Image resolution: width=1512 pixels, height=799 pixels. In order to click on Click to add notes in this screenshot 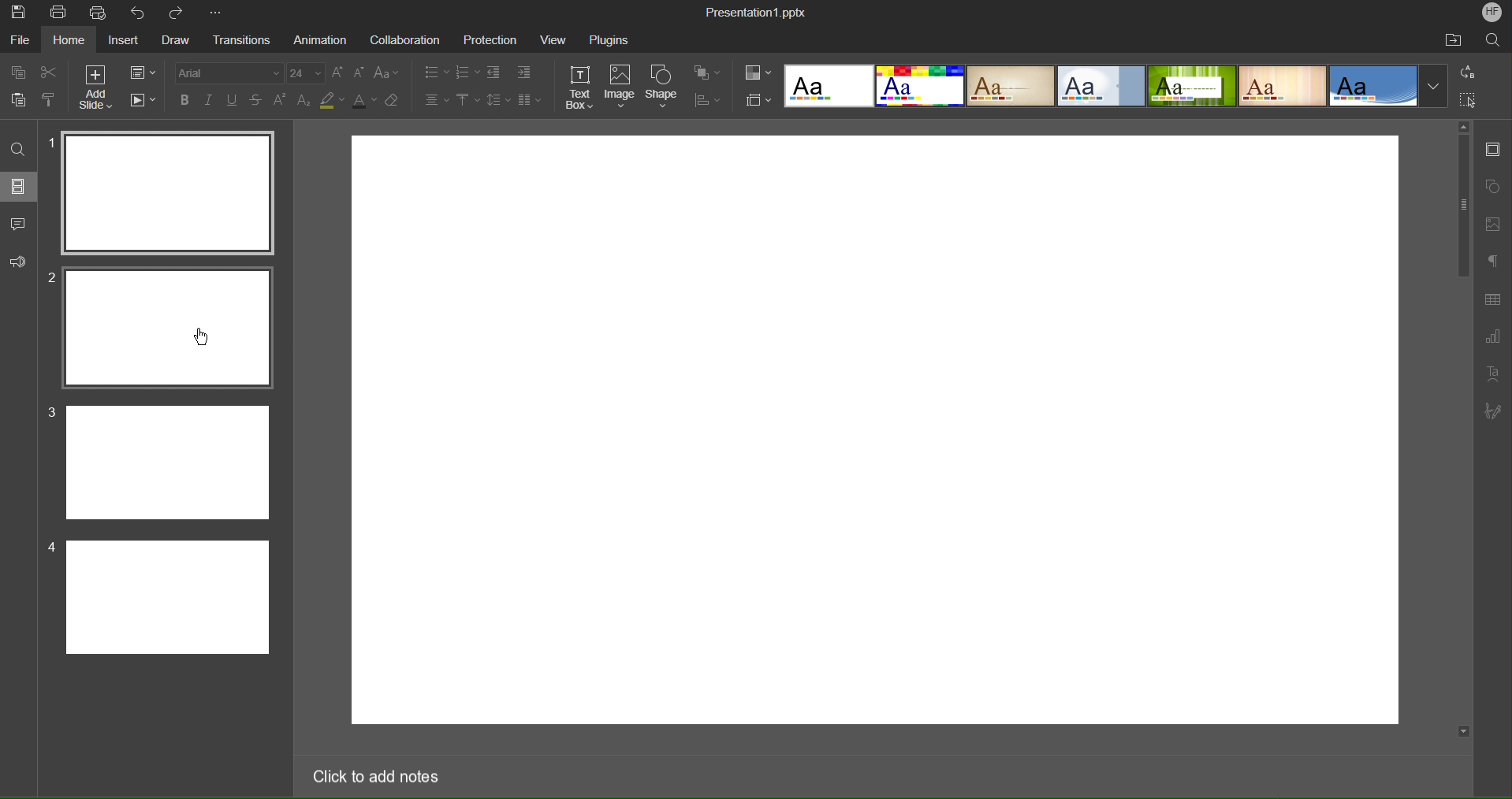, I will do `click(378, 778)`.